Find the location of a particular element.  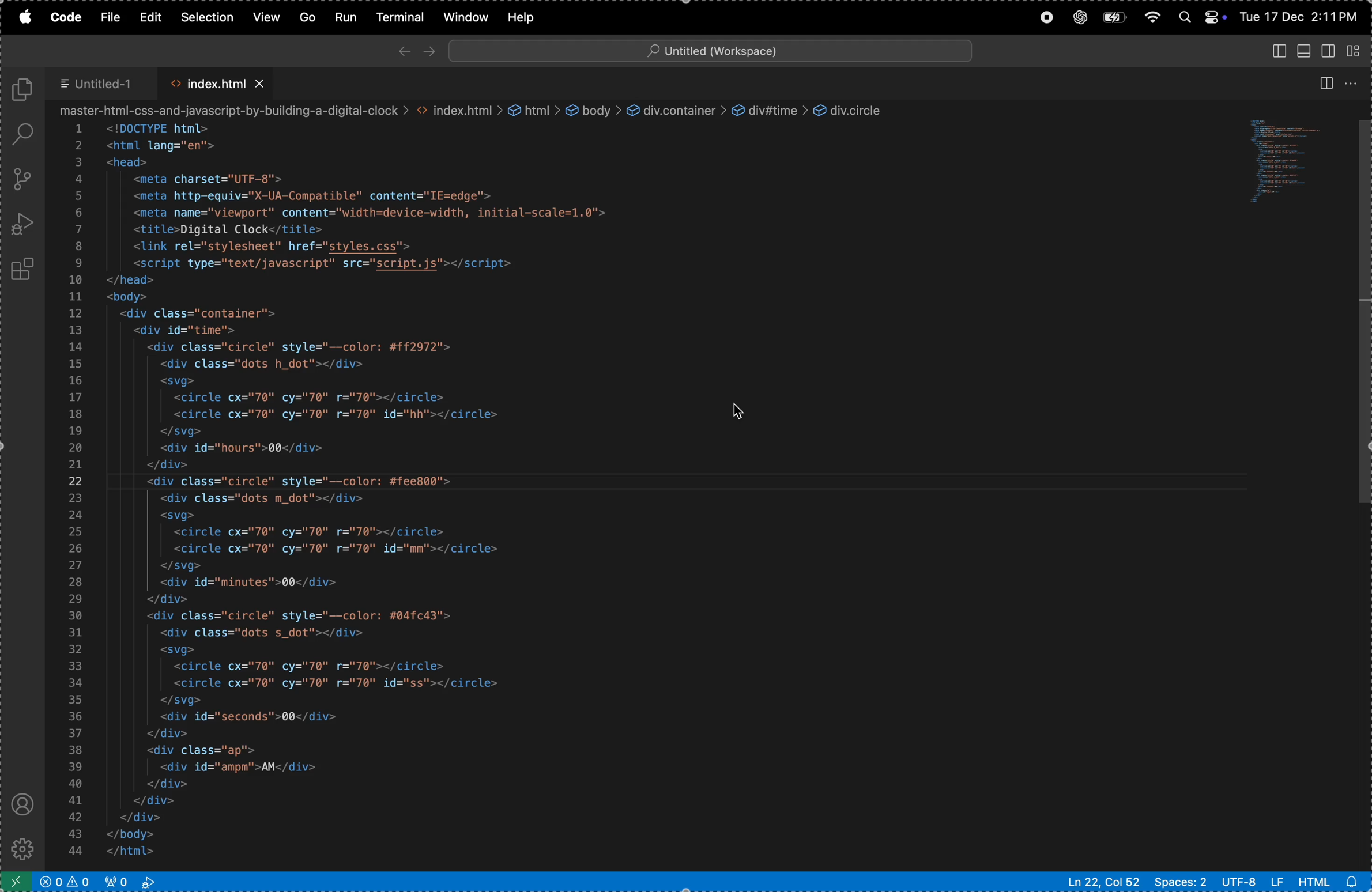

options is located at coordinates (1354, 81).